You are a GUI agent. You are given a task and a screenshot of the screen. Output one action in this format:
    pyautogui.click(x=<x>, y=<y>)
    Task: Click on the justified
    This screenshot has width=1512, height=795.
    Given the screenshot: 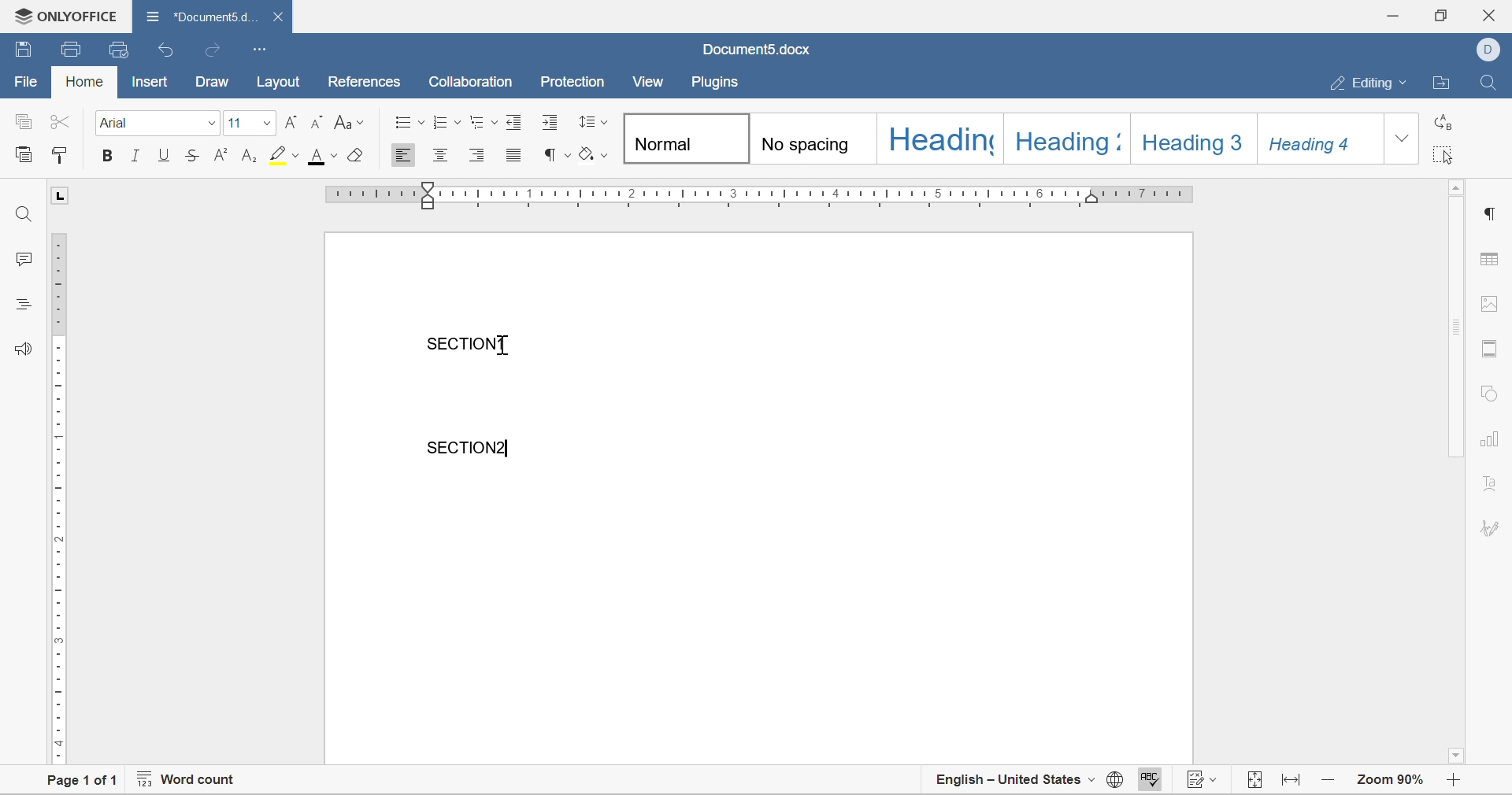 What is the action you would take?
    pyautogui.click(x=514, y=154)
    